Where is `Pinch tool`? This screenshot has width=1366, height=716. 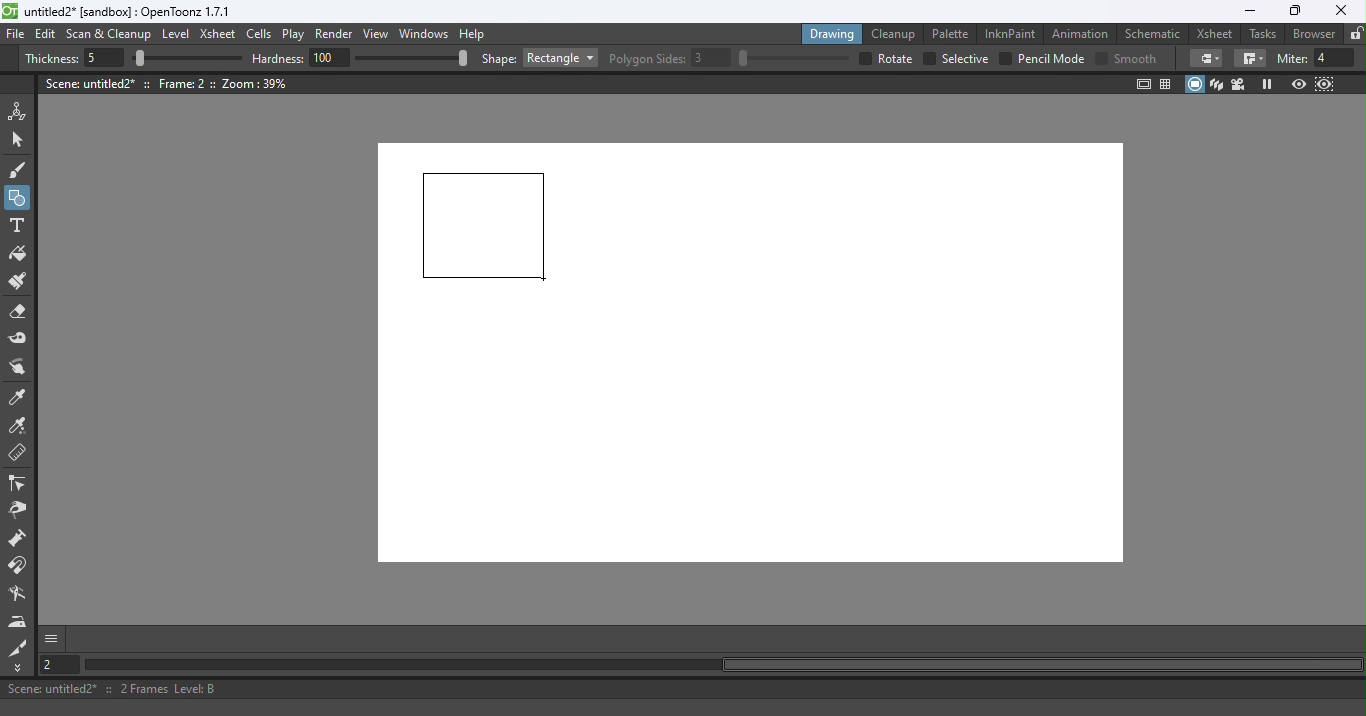
Pinch tool is located at coordinates (17, 513).